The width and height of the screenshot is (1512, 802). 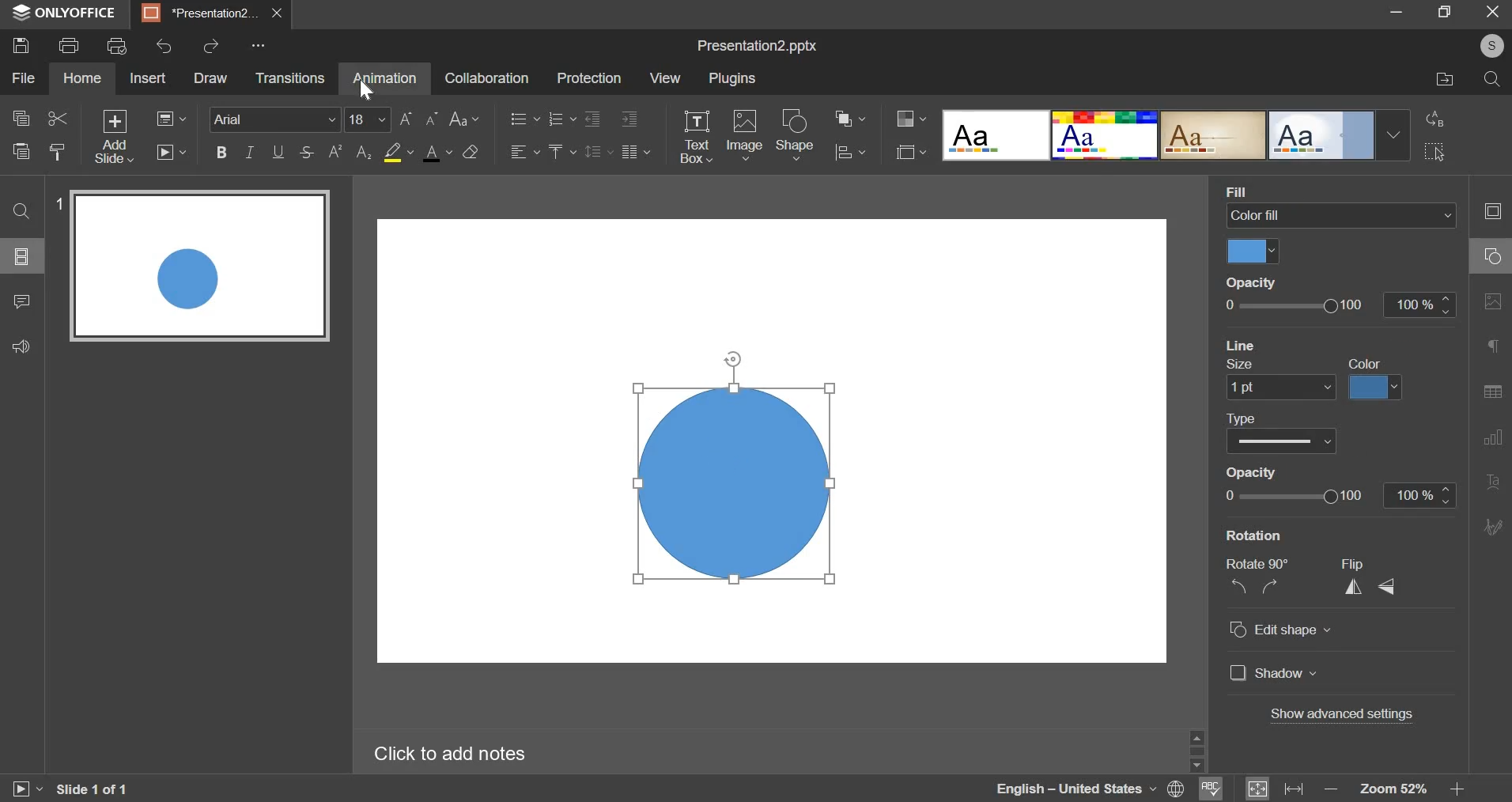 I want to click on copy slide, so click(x=58, y=152).